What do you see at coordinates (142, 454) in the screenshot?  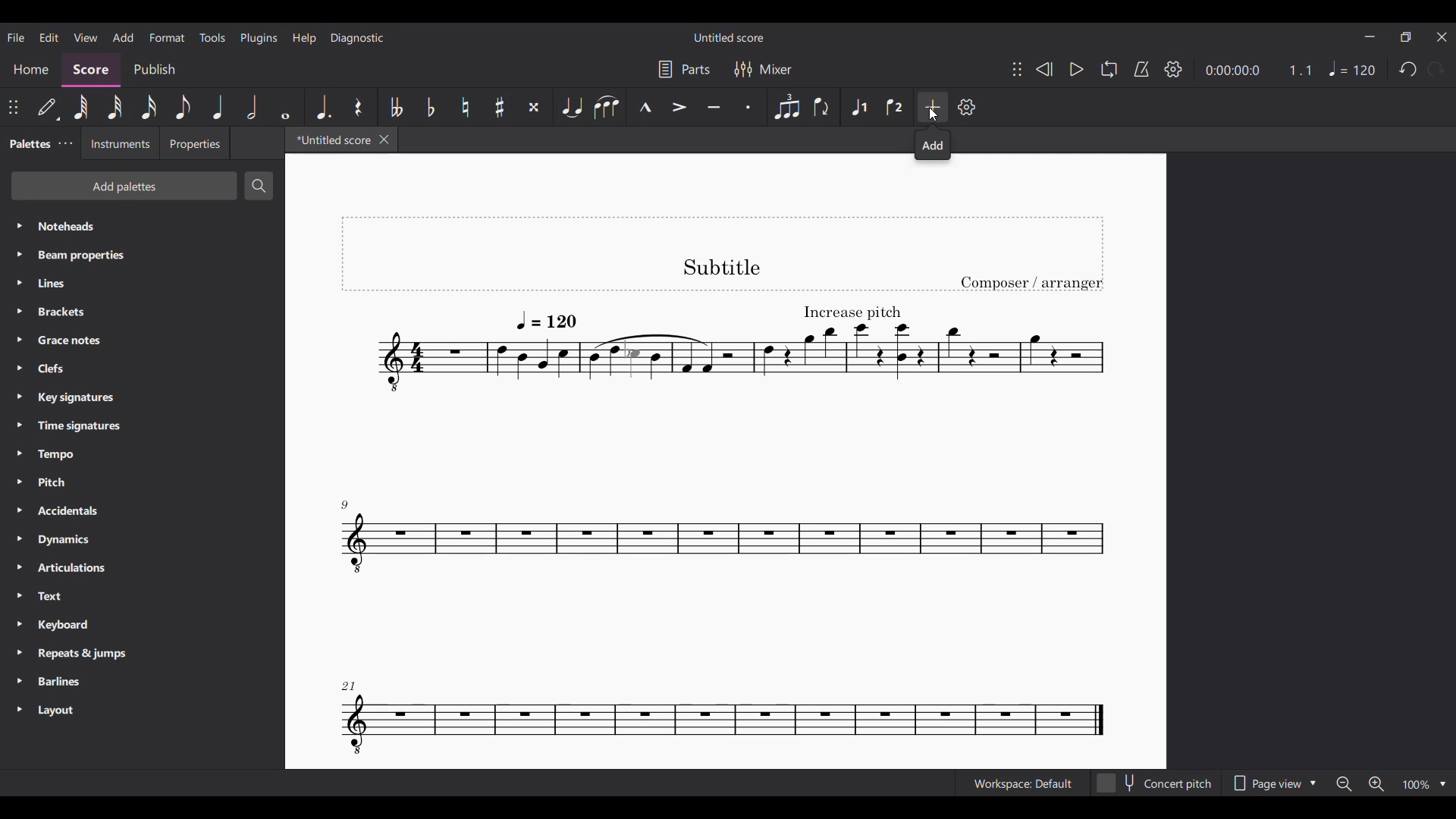 I see `Tempo` at bounding box center [142, 454].